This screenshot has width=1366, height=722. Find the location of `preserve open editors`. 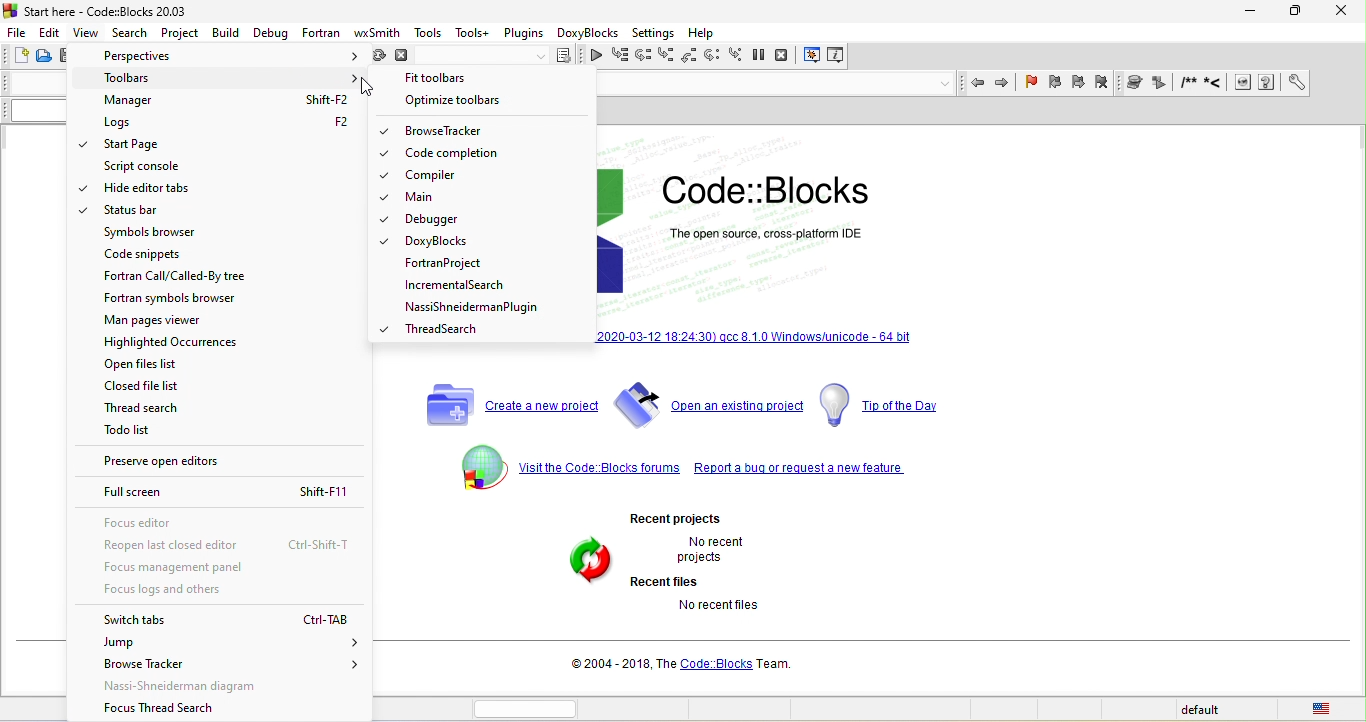

preserve open editors is located at coordinates (223, 464).